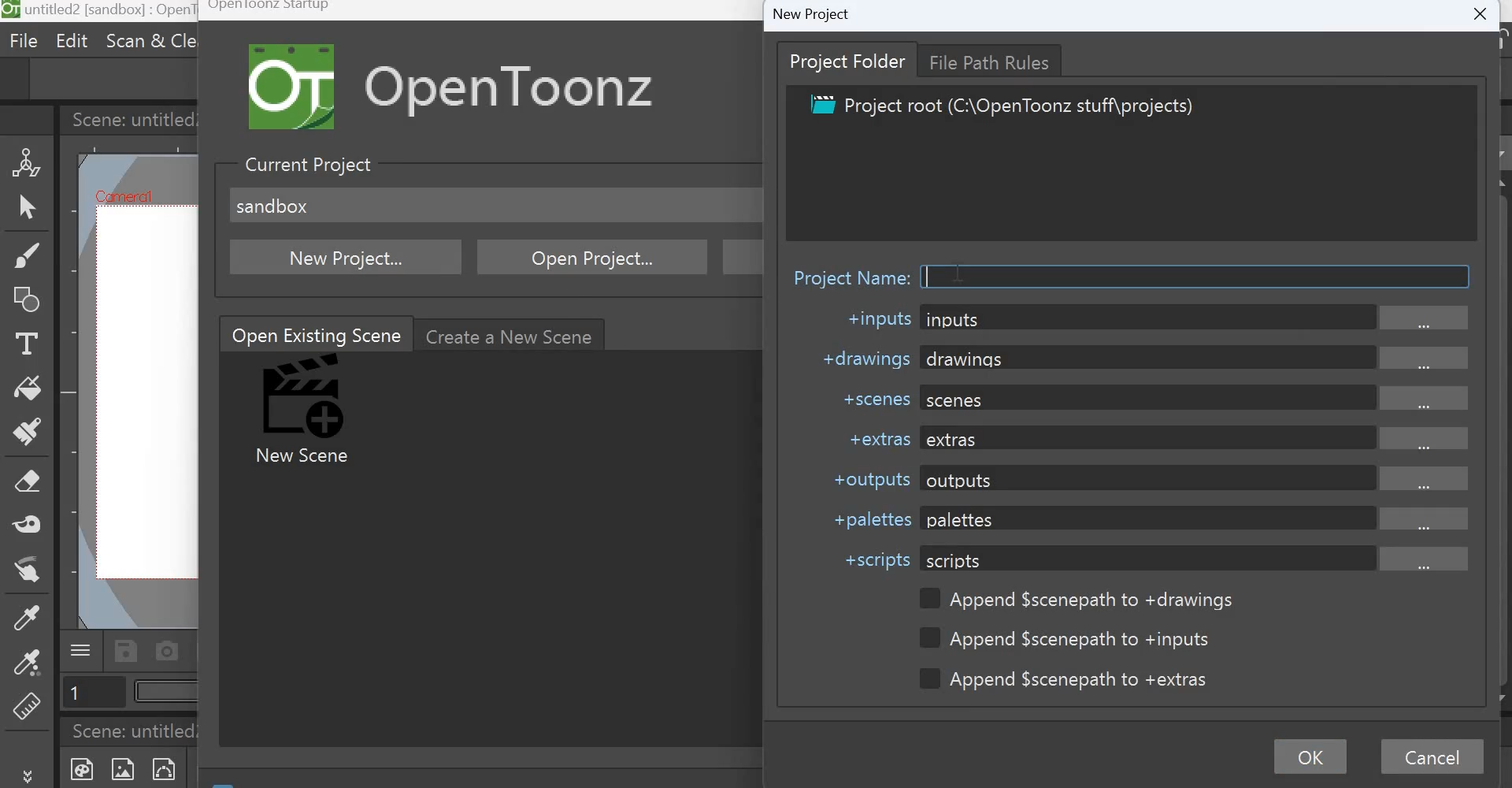 This screenshot has width=1512, height=788. What do you see at coordinates (1196, 478) in the screenshot?
I see `outputs` at bounding box center [1196, 478].